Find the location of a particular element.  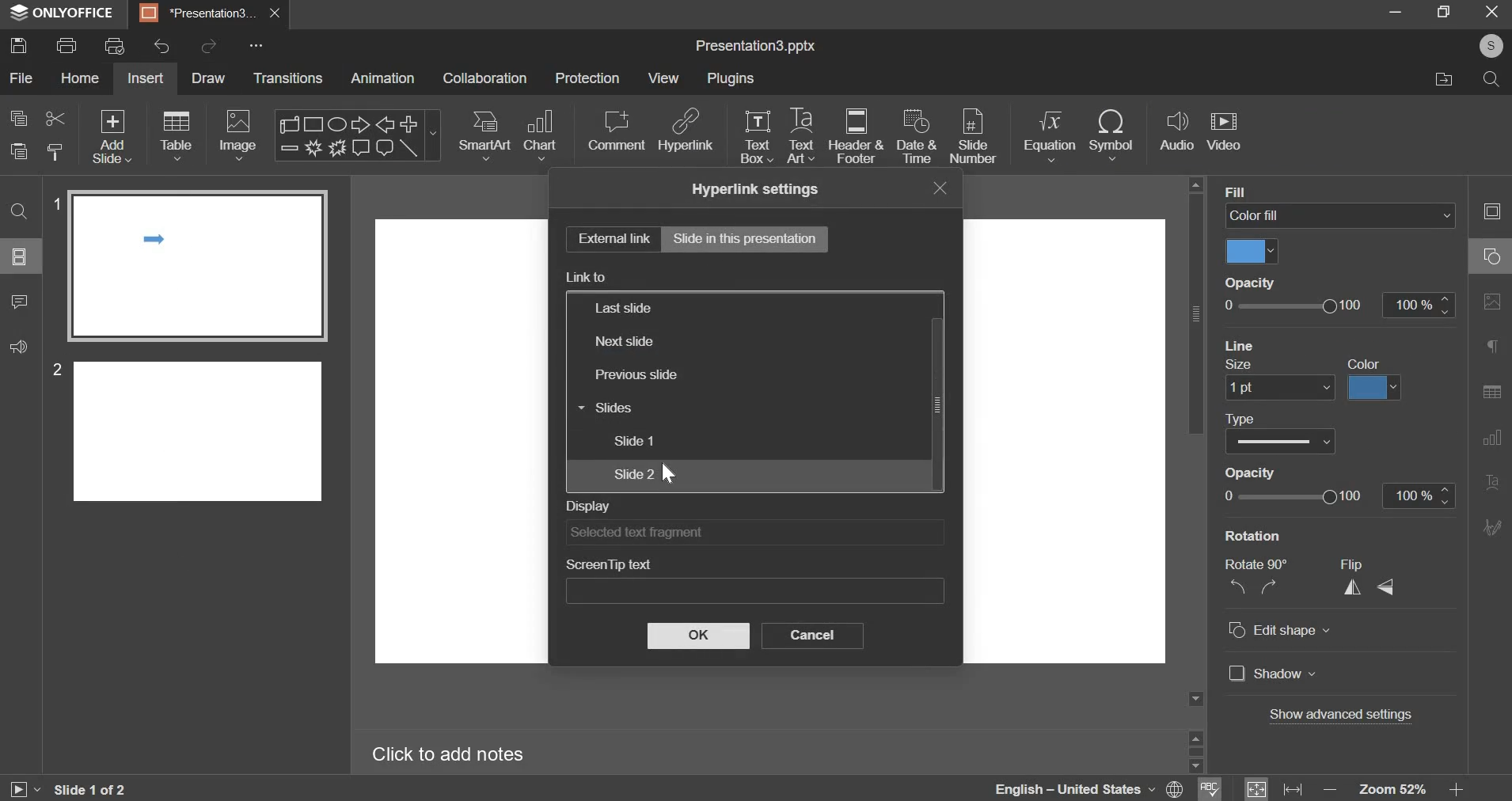

Paragraph settings is located at coordinates (1492, 345).